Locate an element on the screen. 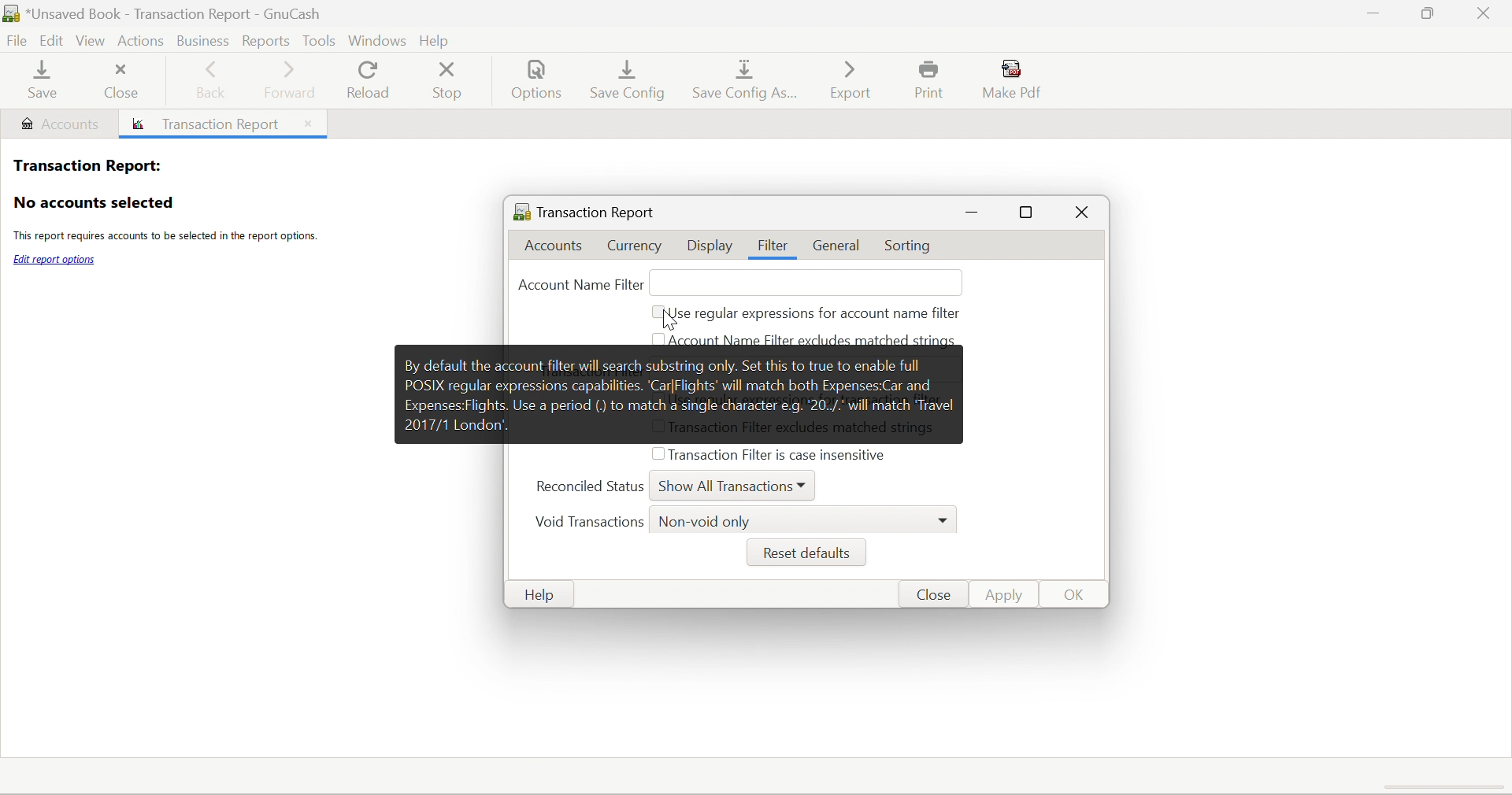  Currency is located at coordinates (636, 246).